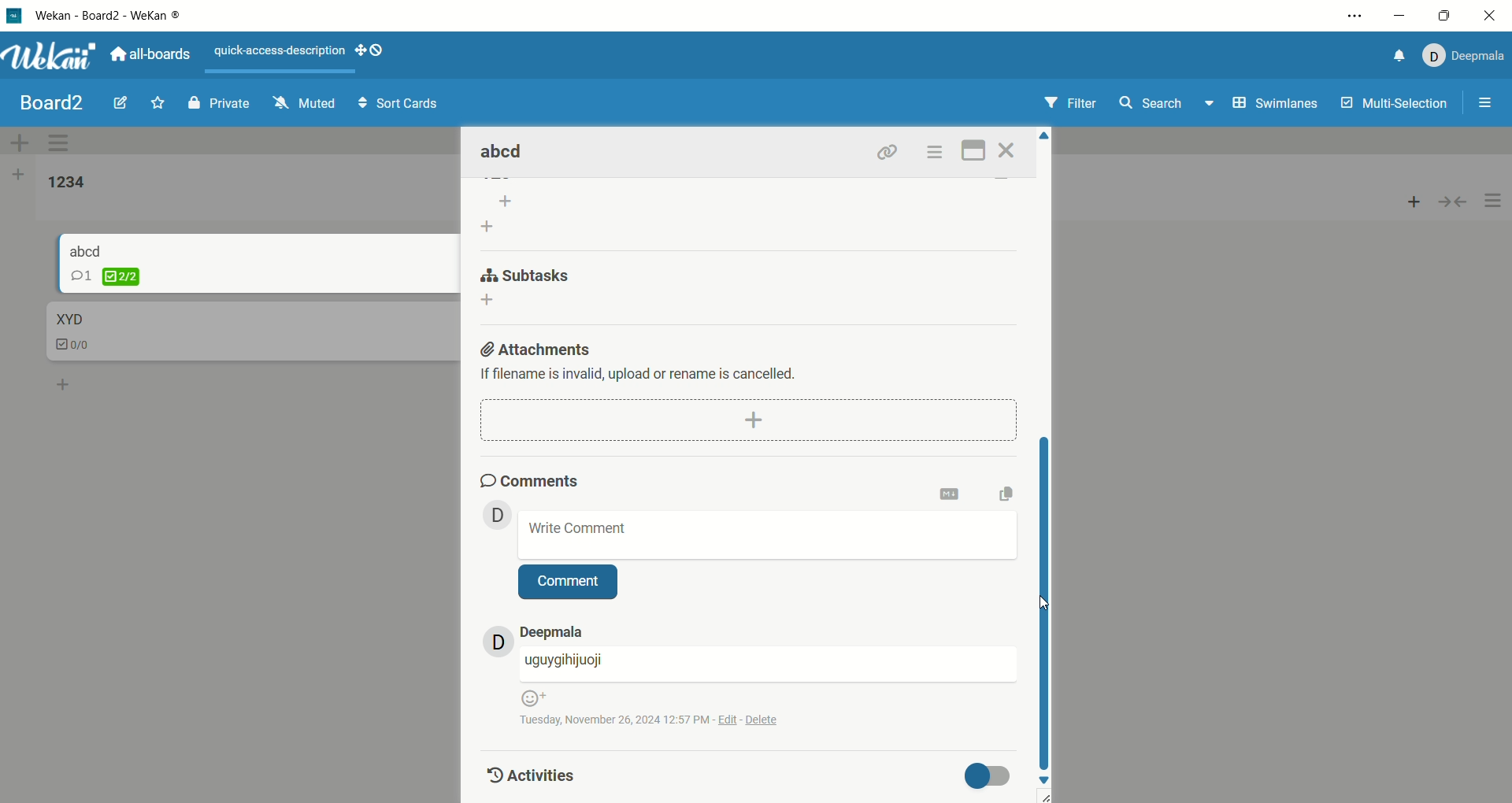 Image resolution: width=1512 pixels, height=803 pixels. What do you see at coordinates (768, 664) in the screenshot?
I see `username` at bounding box center [768, 664].